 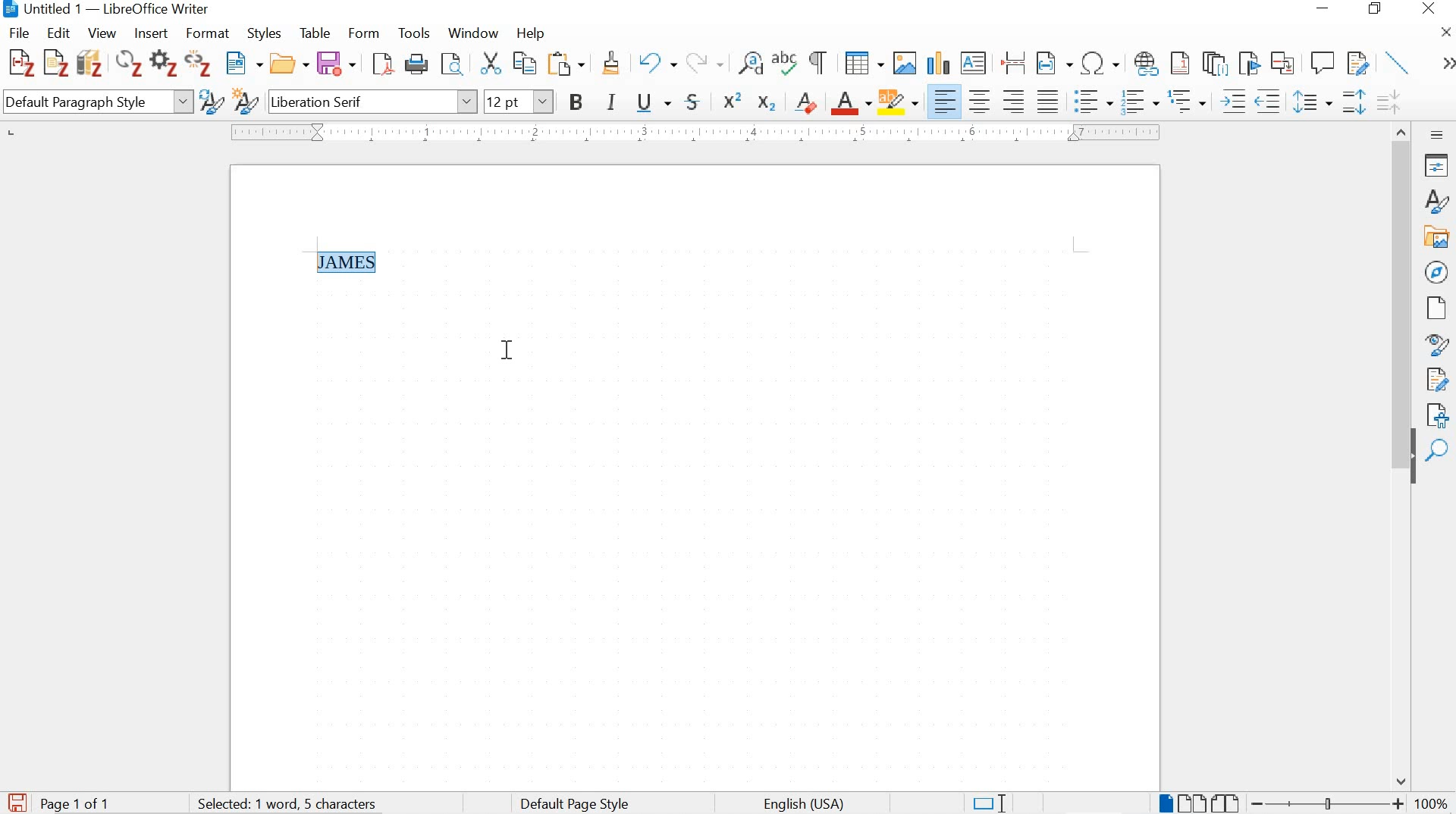 I want to click on subscript, so click(x=765, y=103).